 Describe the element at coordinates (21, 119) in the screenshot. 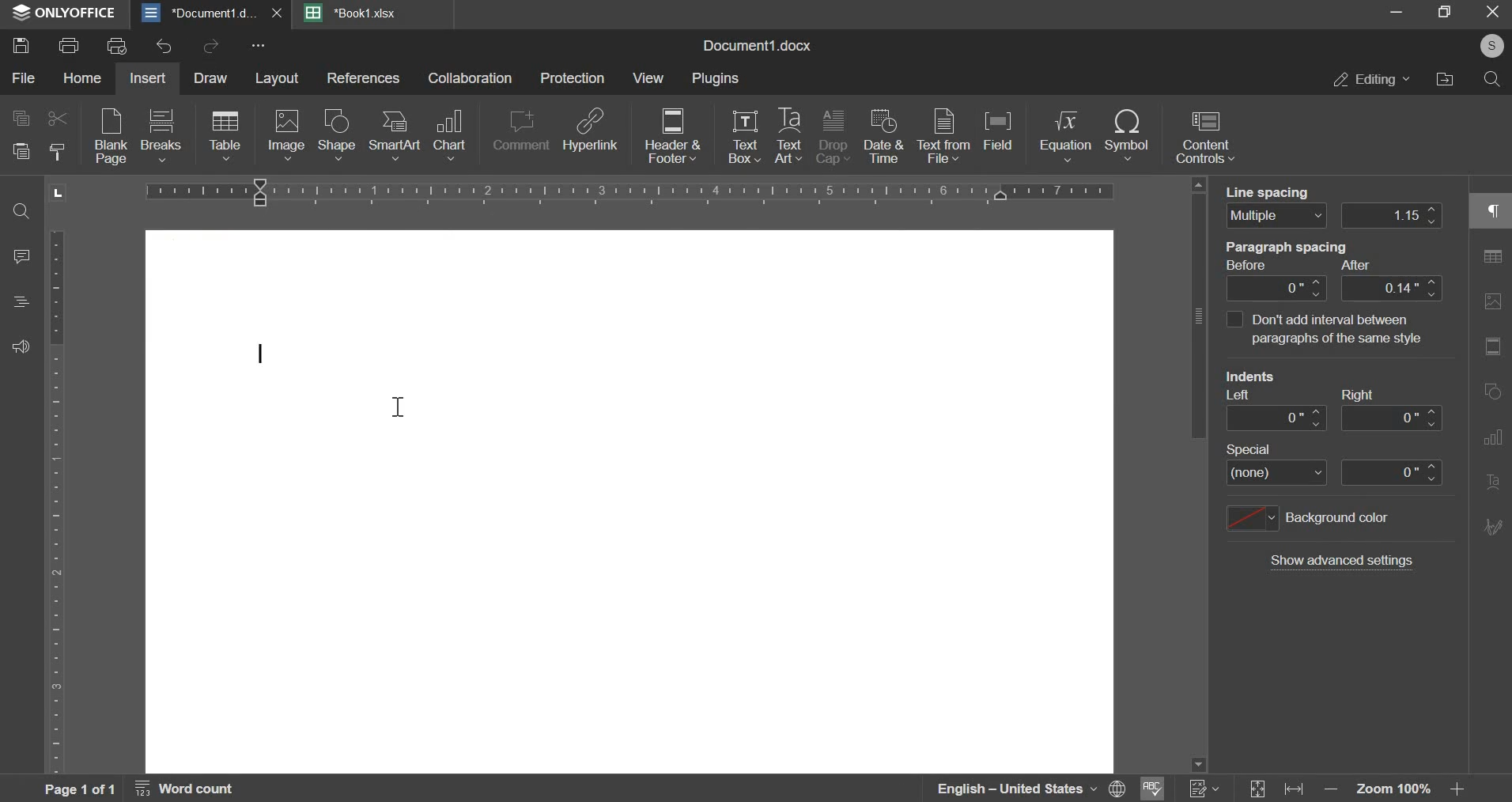

I see `copy` at that location.